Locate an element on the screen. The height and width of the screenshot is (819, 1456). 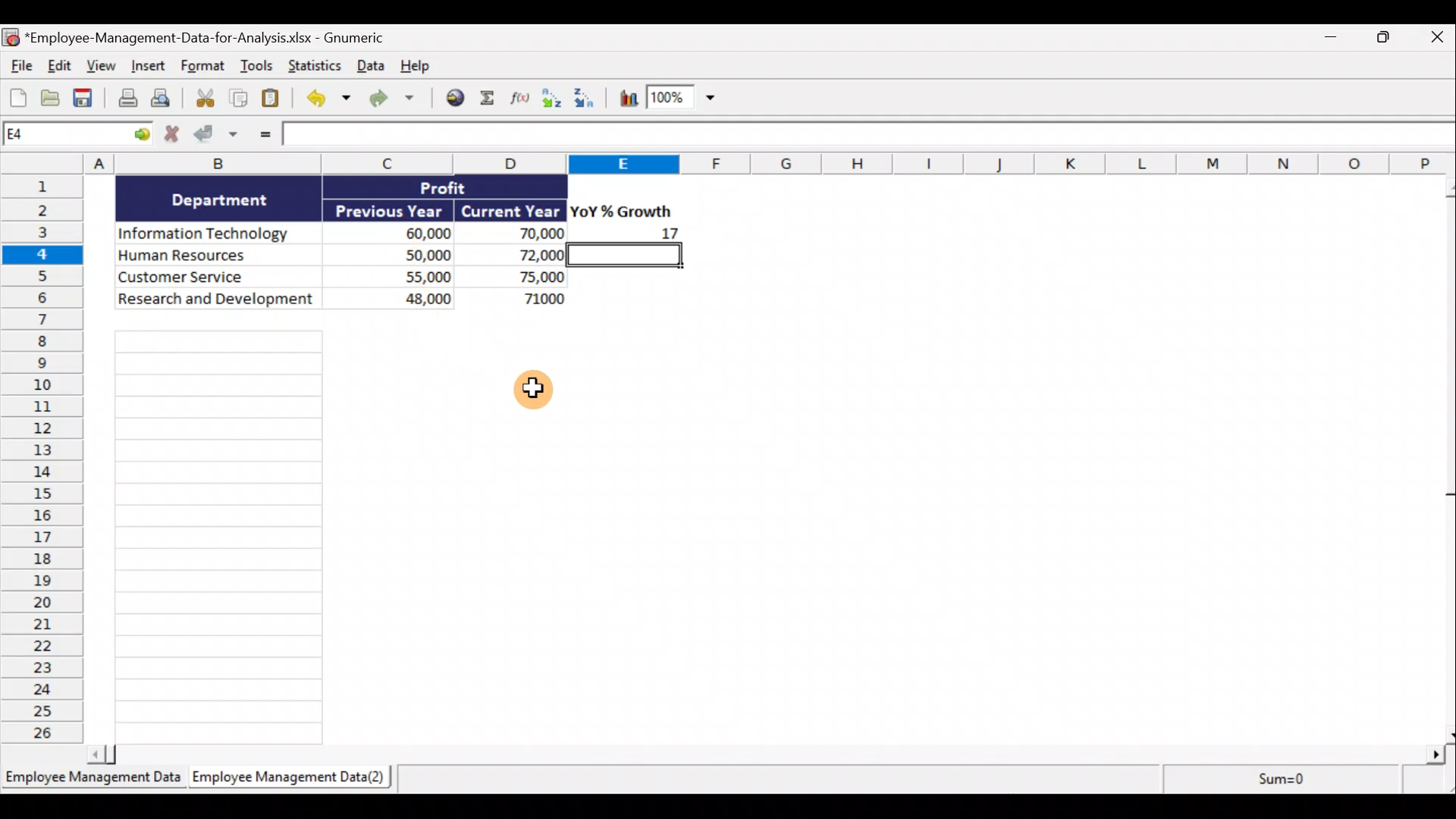
Cursor is located at coordinates (540, 384).